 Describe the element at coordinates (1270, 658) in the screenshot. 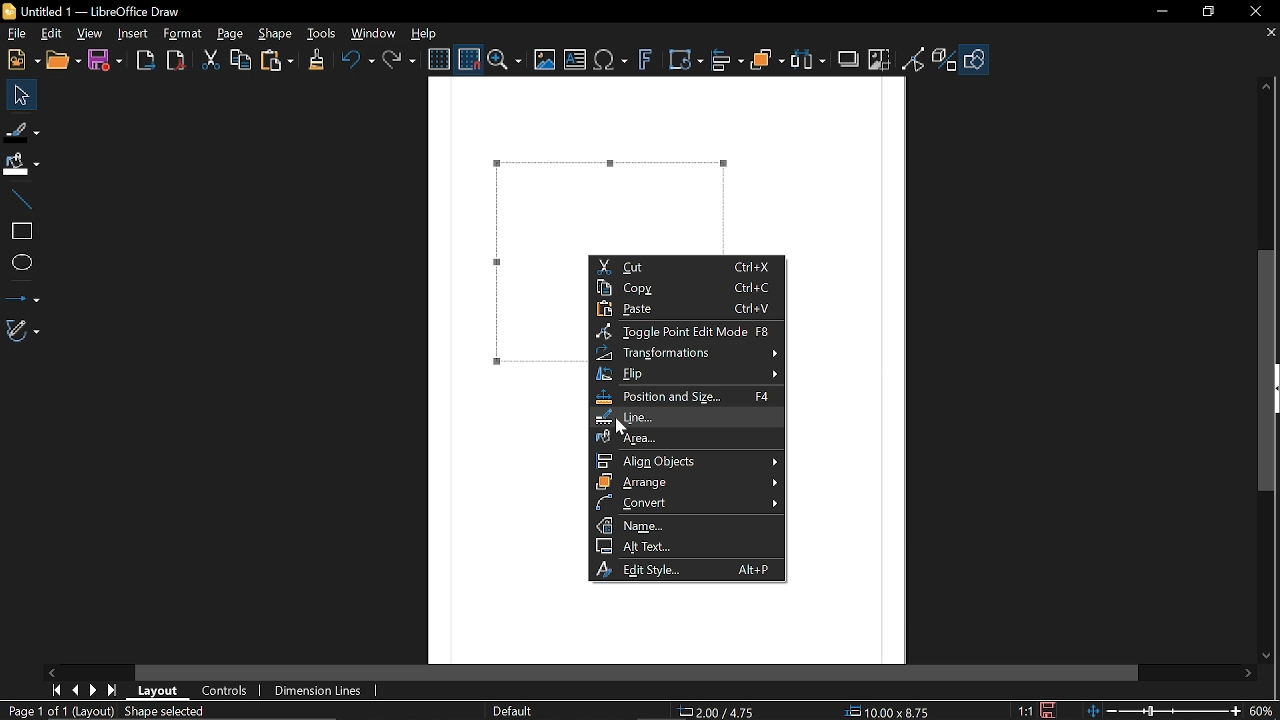

I see `Move down` at that location.